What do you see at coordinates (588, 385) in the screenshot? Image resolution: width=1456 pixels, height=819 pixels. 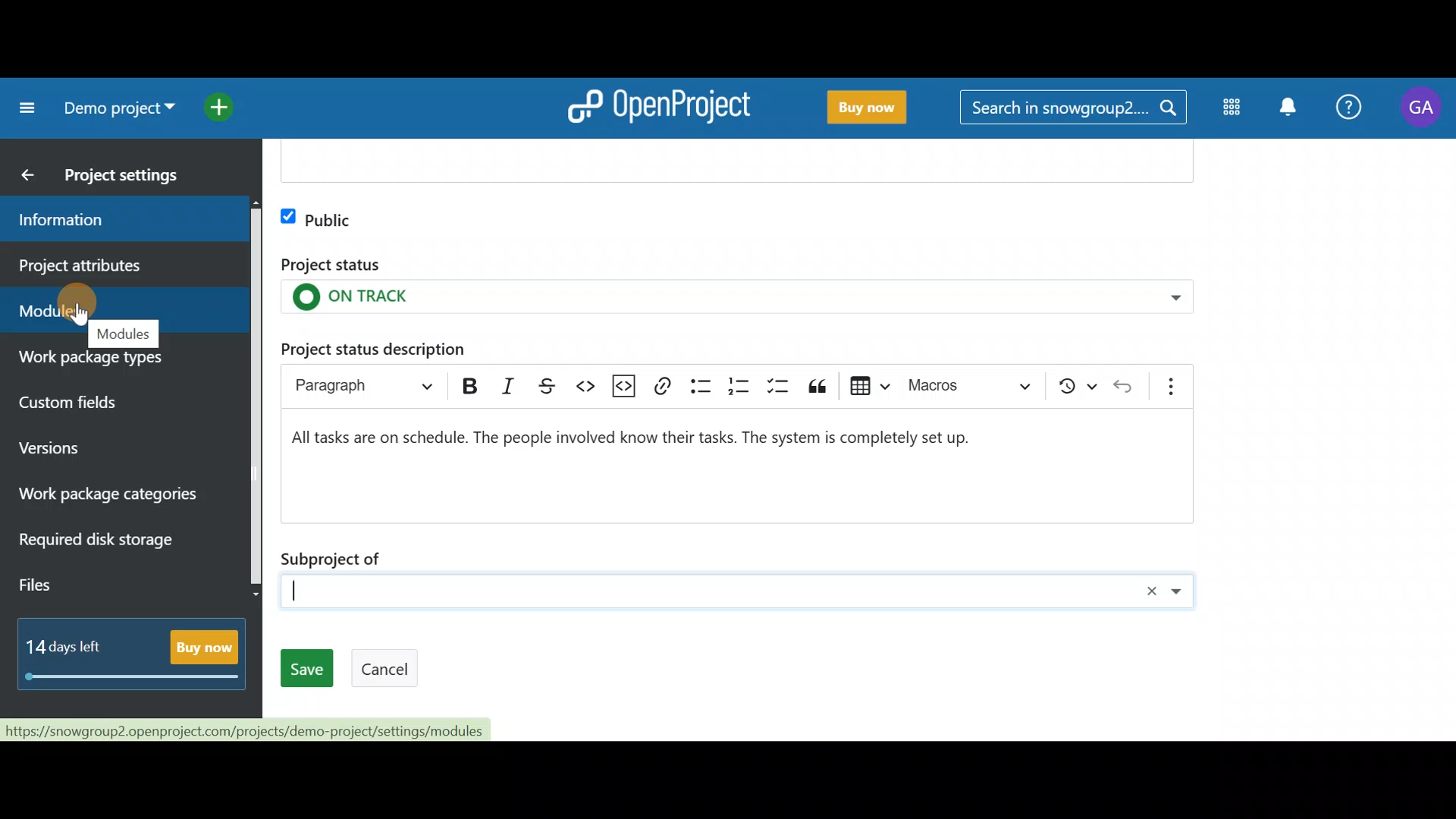 I see `Code` at bounding box center [588, 385].